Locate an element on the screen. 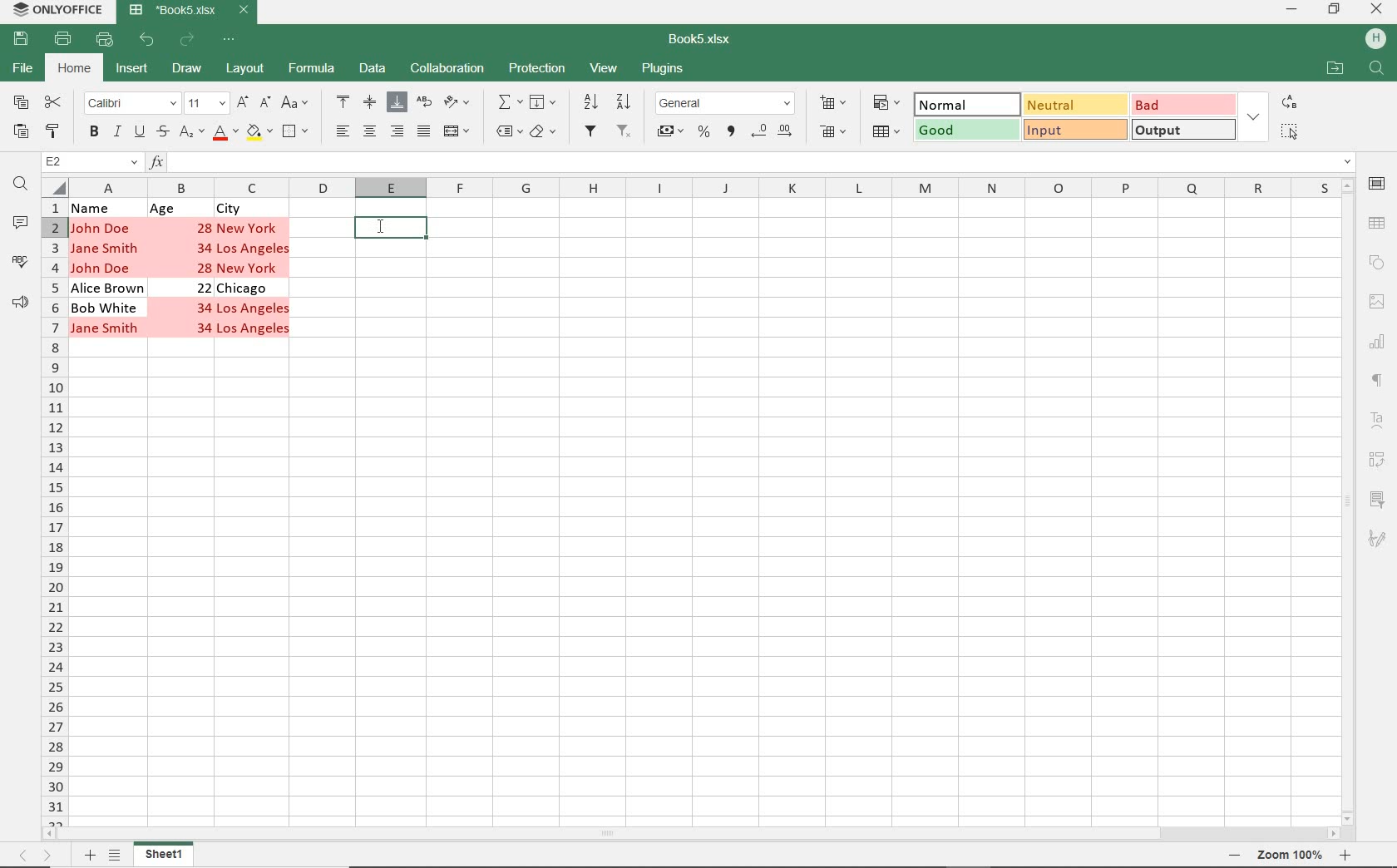 The width and height of the screenshot is (1397, 868). SELECT ALL is located at coordinates (1290, 133).